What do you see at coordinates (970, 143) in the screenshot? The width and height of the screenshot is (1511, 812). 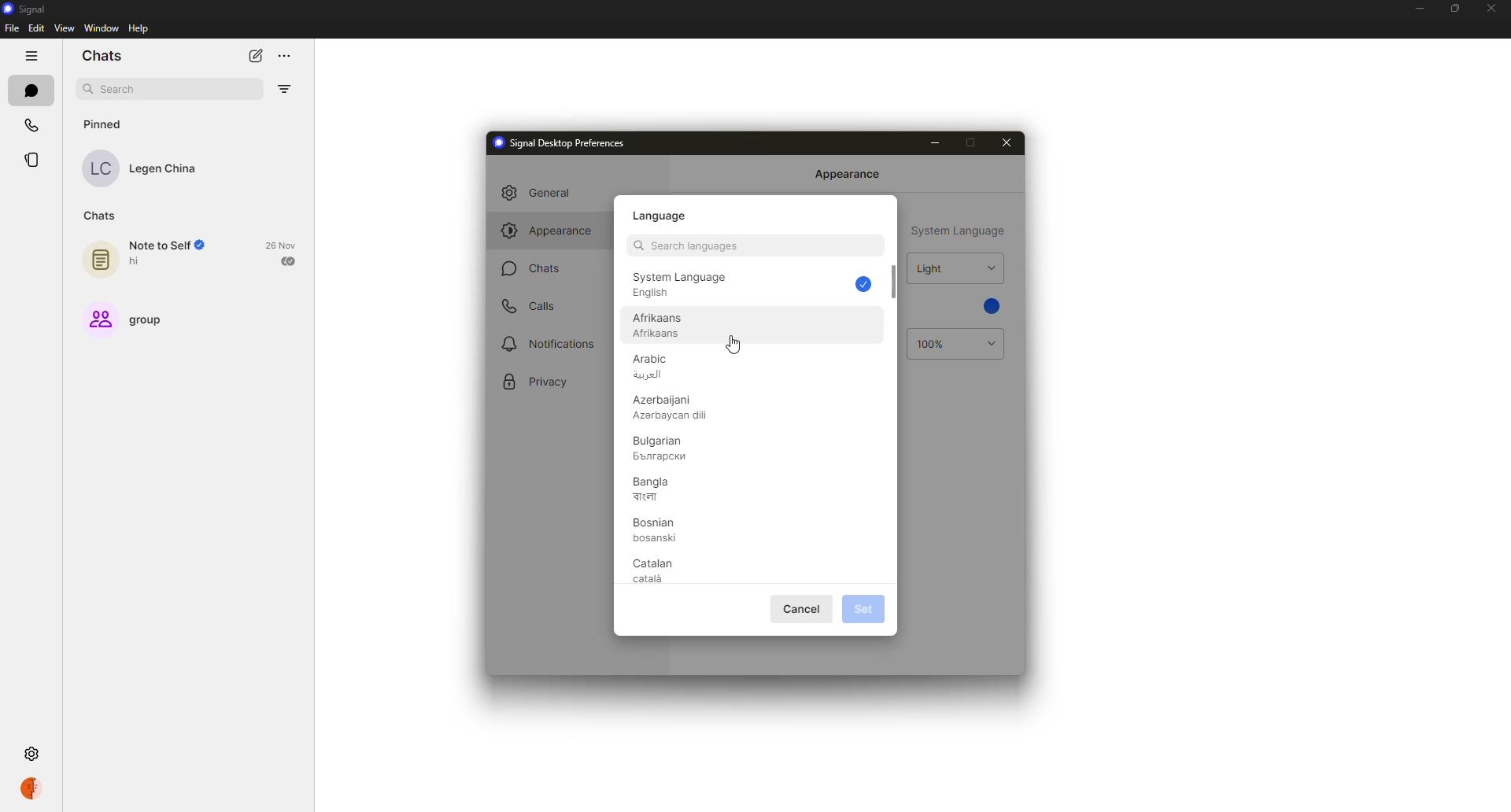 I see `maximize` at bounding box center [970, 143].